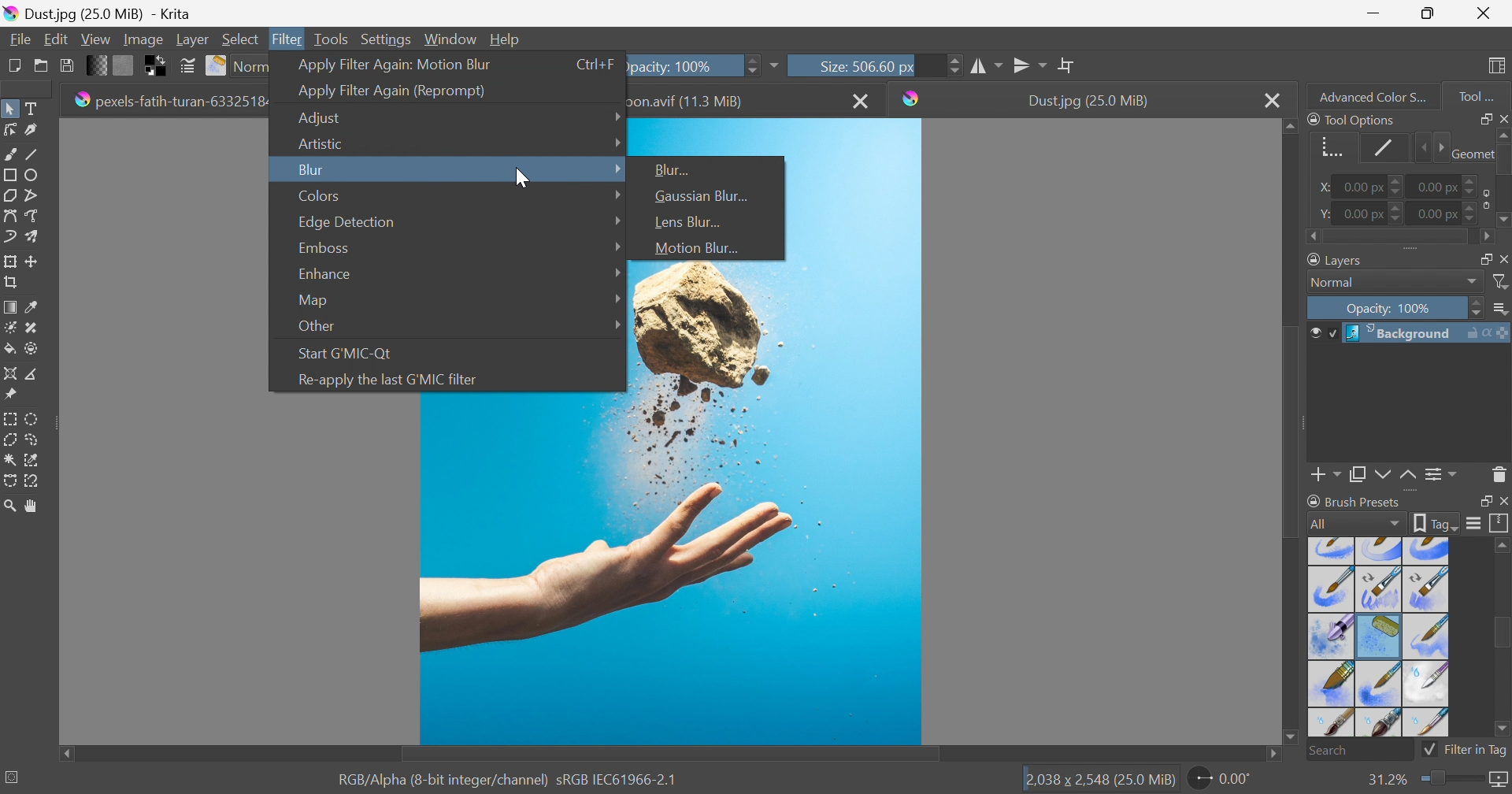  What do you see at coordinates (1088, 101) in the screenshot?
I see `Dust.jpg (25.0 MB)` at bounding box center [1088, 101].